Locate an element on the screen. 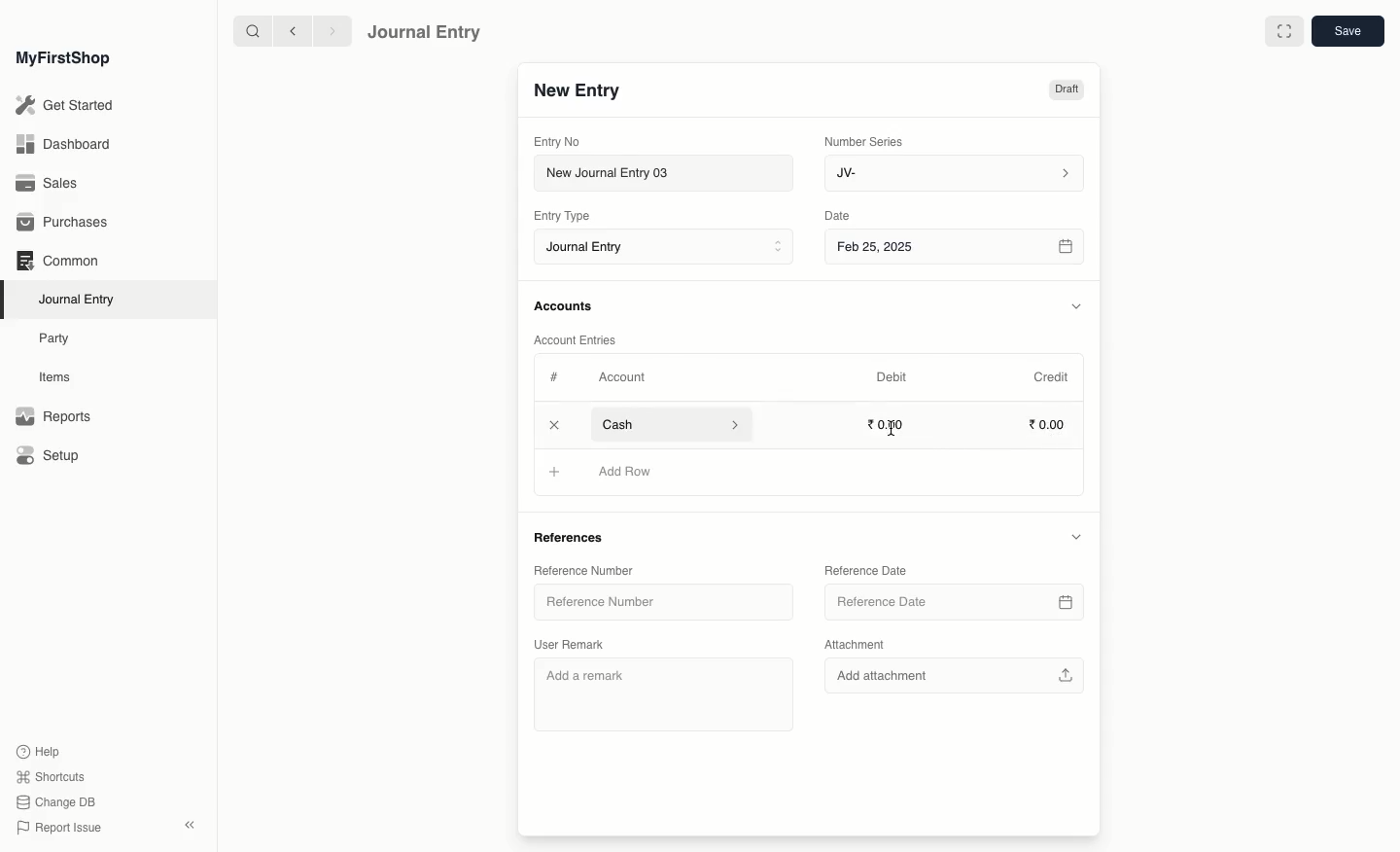 The image size is (1400, 852). Close is located at coordinates (556, 426).